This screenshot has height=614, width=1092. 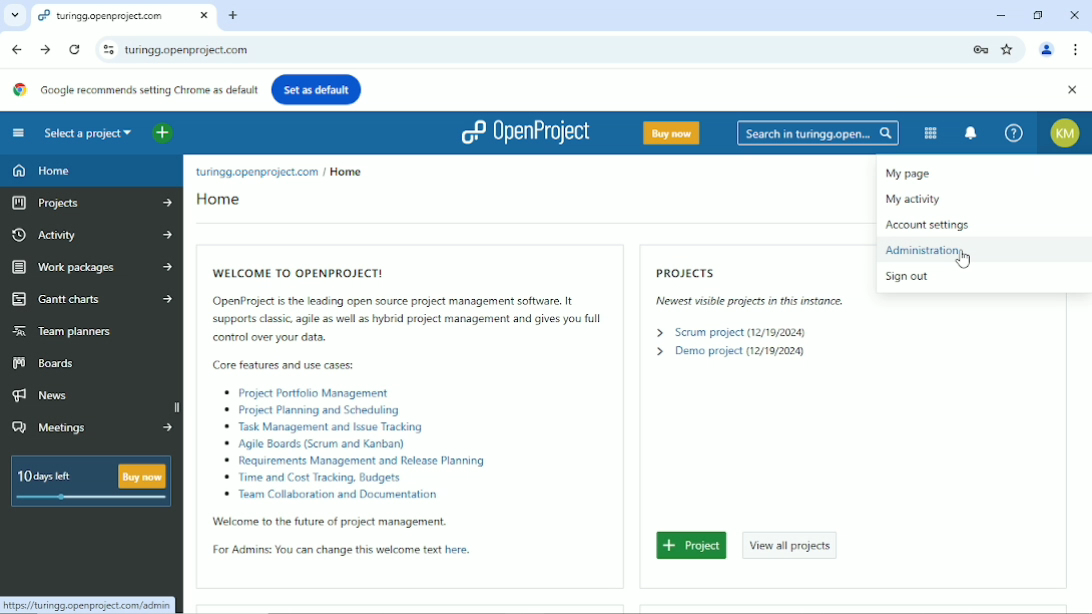 I want to click on Customize and control google chrome, so click(x=1076, y=50).